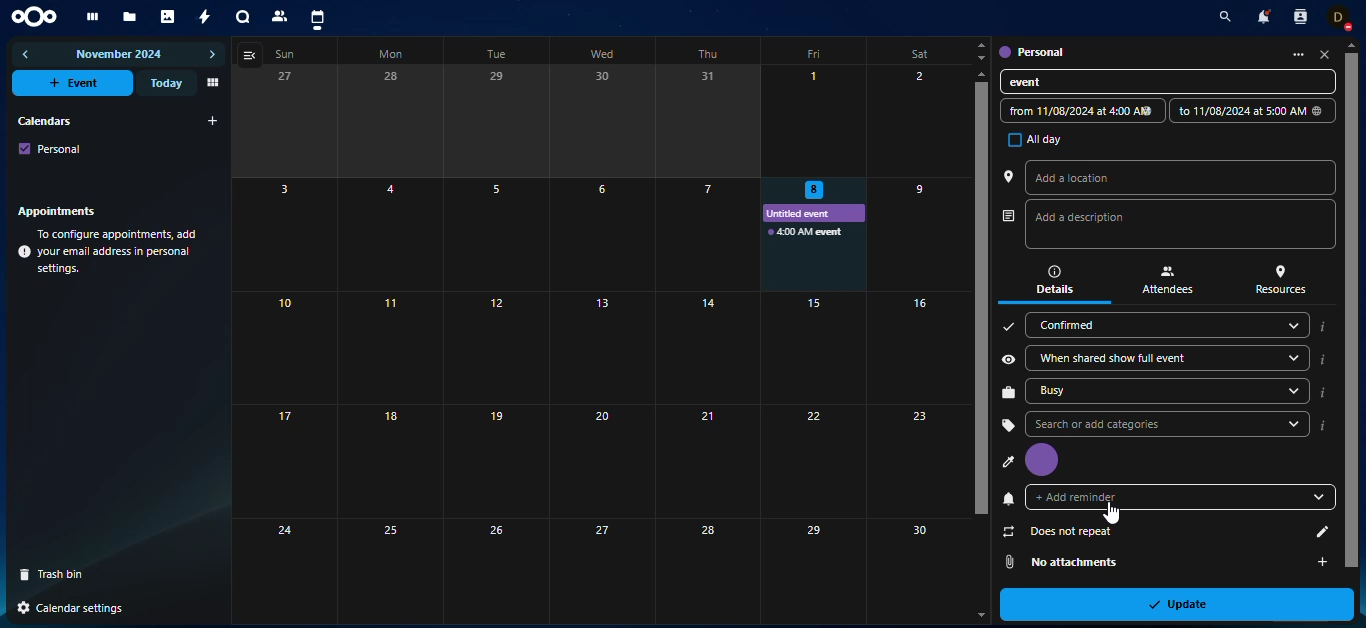  Describe the element at coordinates (1086, 497) in the screenshot. I see `add reminder` at that location.